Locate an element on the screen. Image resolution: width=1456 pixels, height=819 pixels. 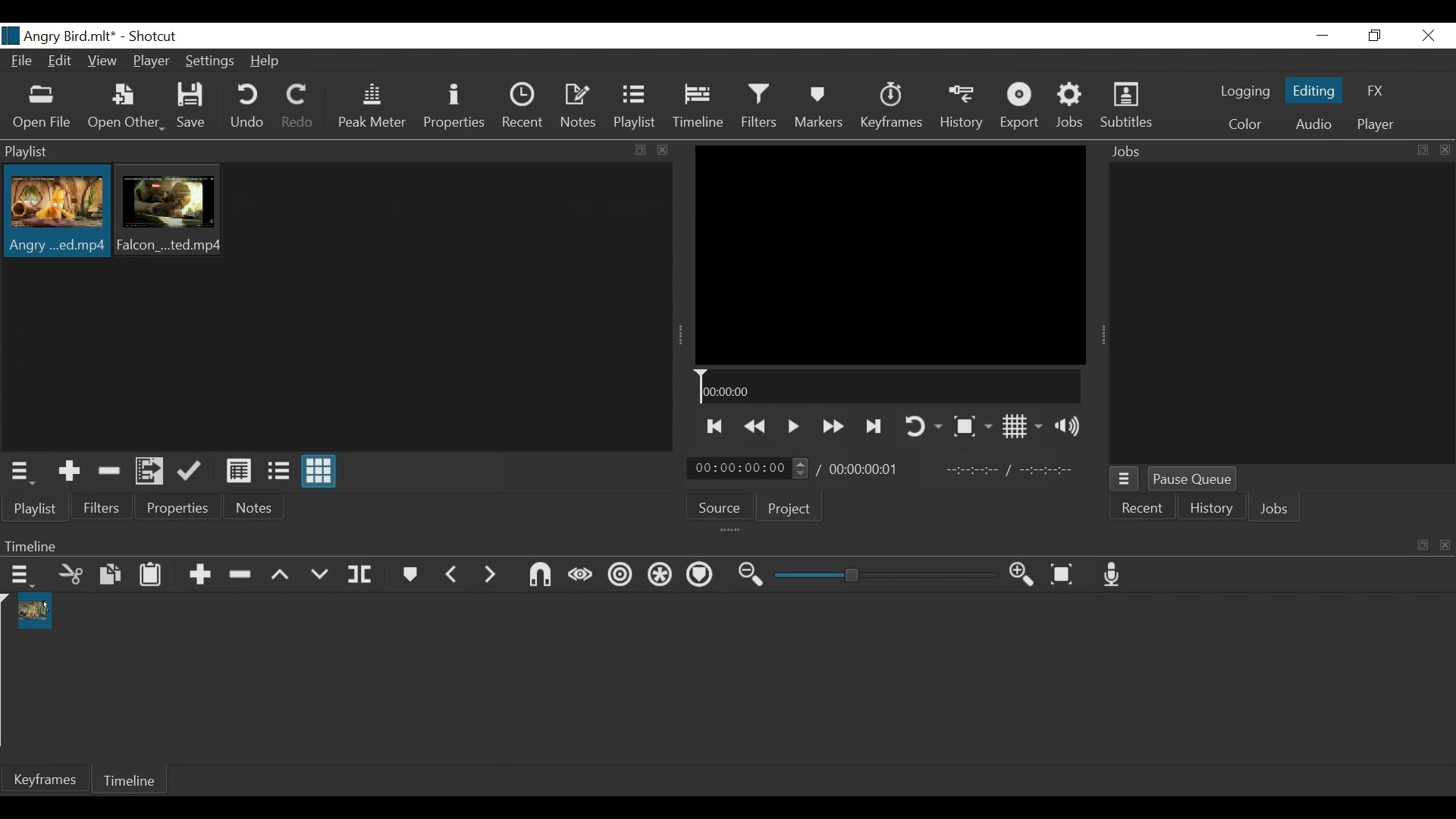
Tiemeline is located at coordinates (701, 108).